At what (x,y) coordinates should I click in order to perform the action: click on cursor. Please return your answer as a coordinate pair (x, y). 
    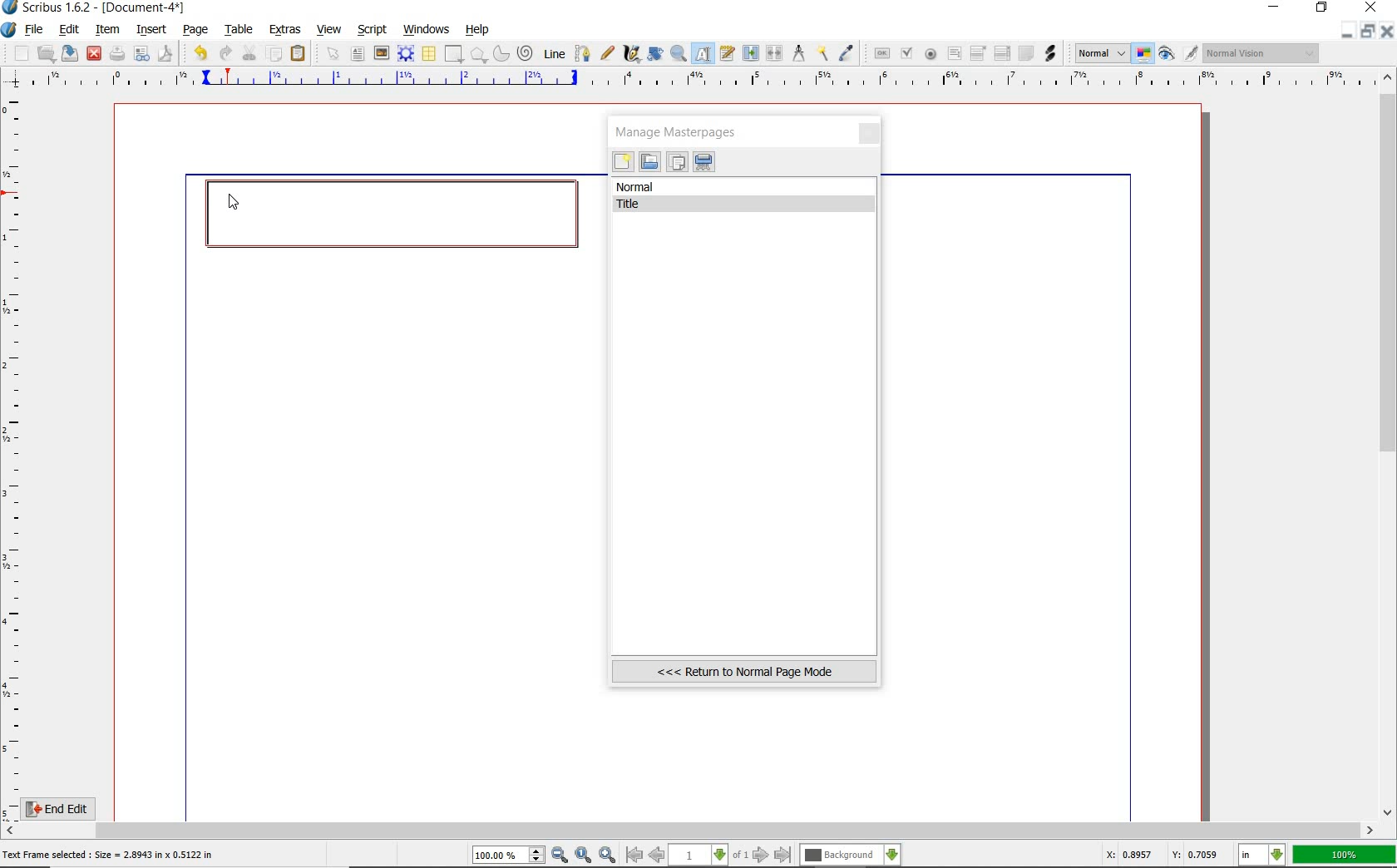
    Looking at the image, I should click on (233, 204).